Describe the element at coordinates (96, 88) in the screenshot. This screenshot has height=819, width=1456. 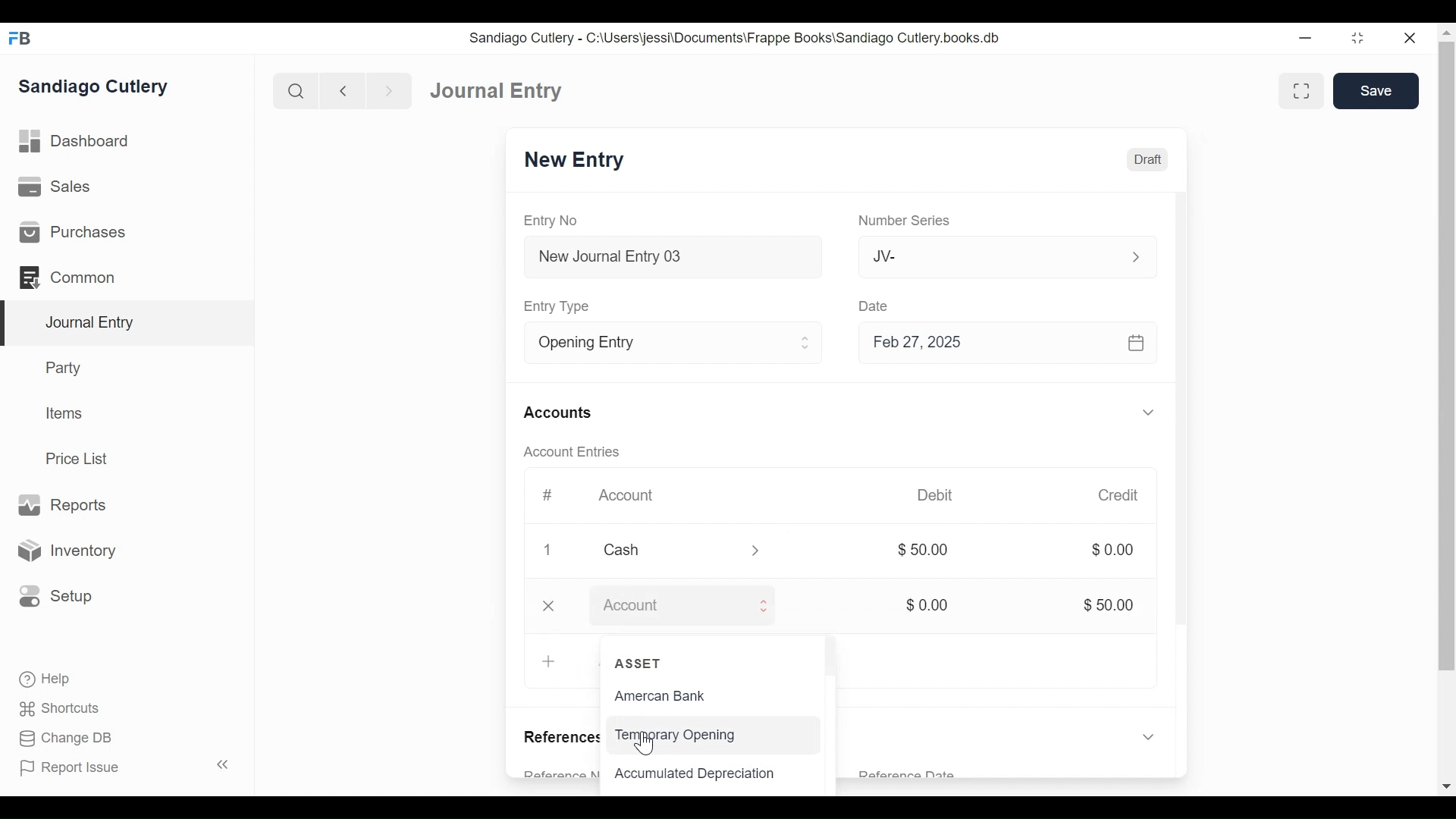
I see `Sandiago Cutlery` at that location.